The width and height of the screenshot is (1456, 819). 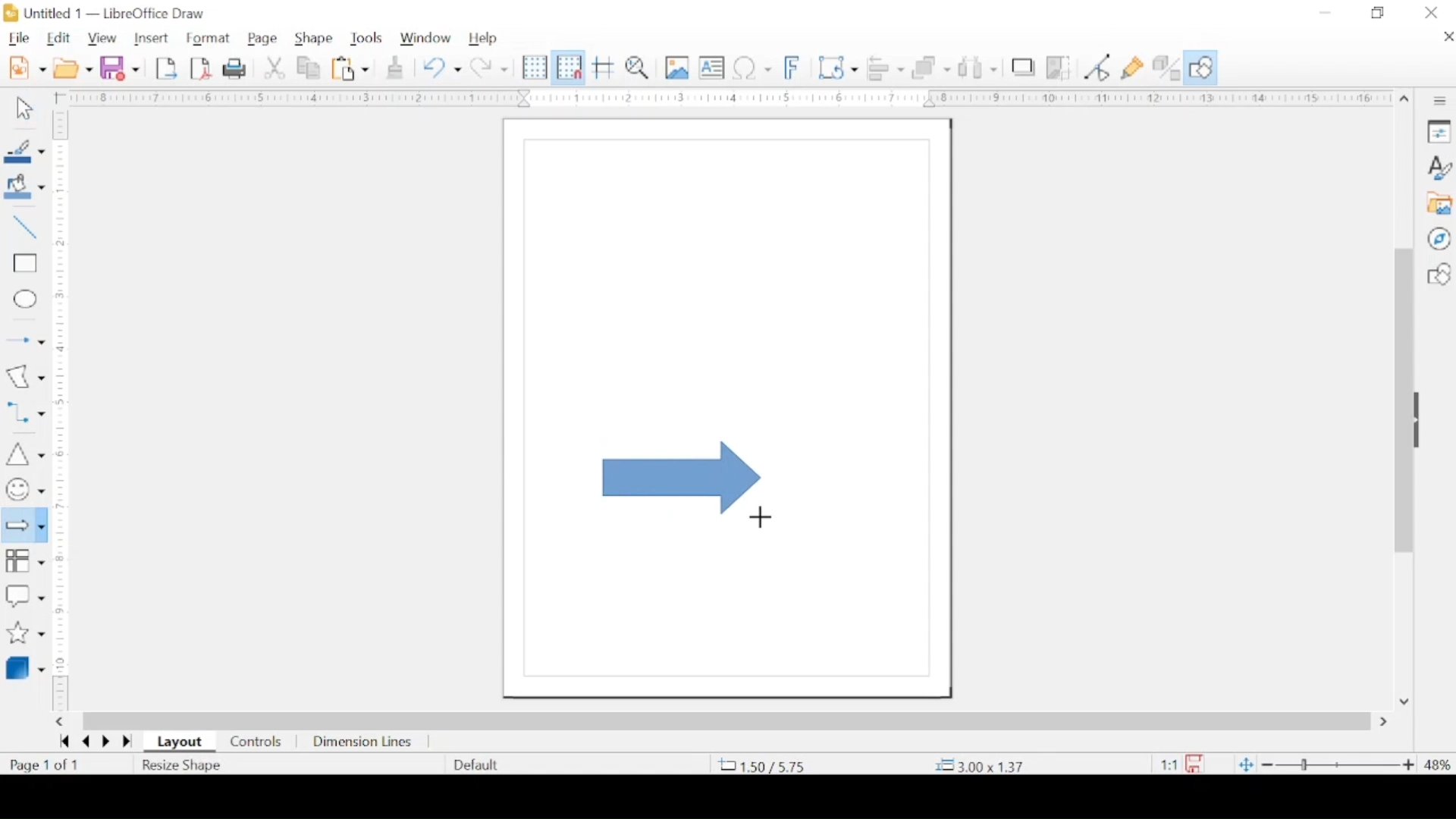 I want to click on sidebar settings, so click(x=1442, y=102).